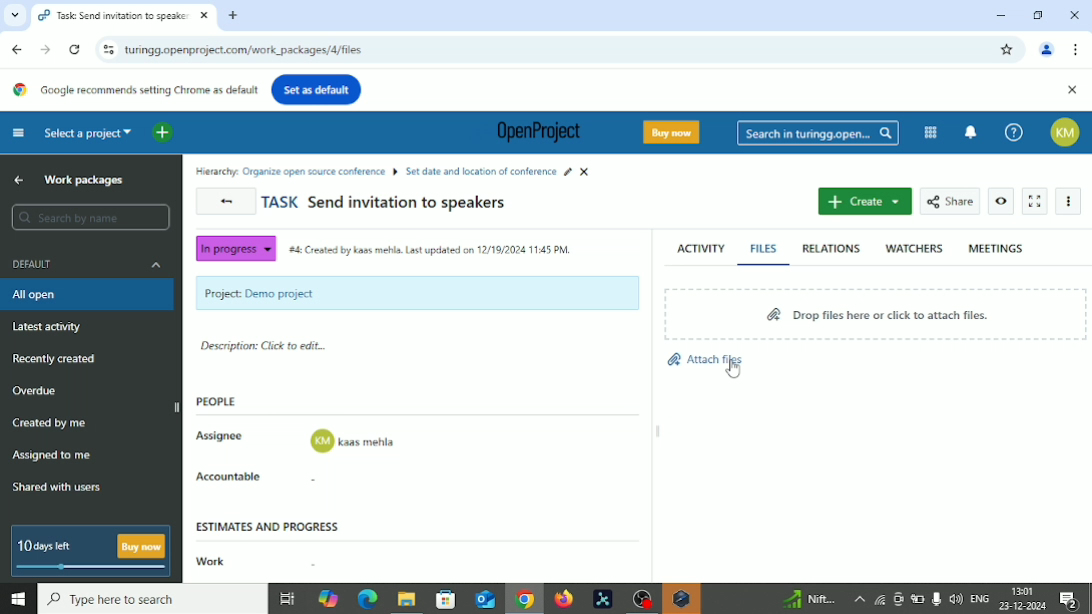 The width and height of the screenshot is (1092, 614). I want to click on Time, so click(1024, 589).